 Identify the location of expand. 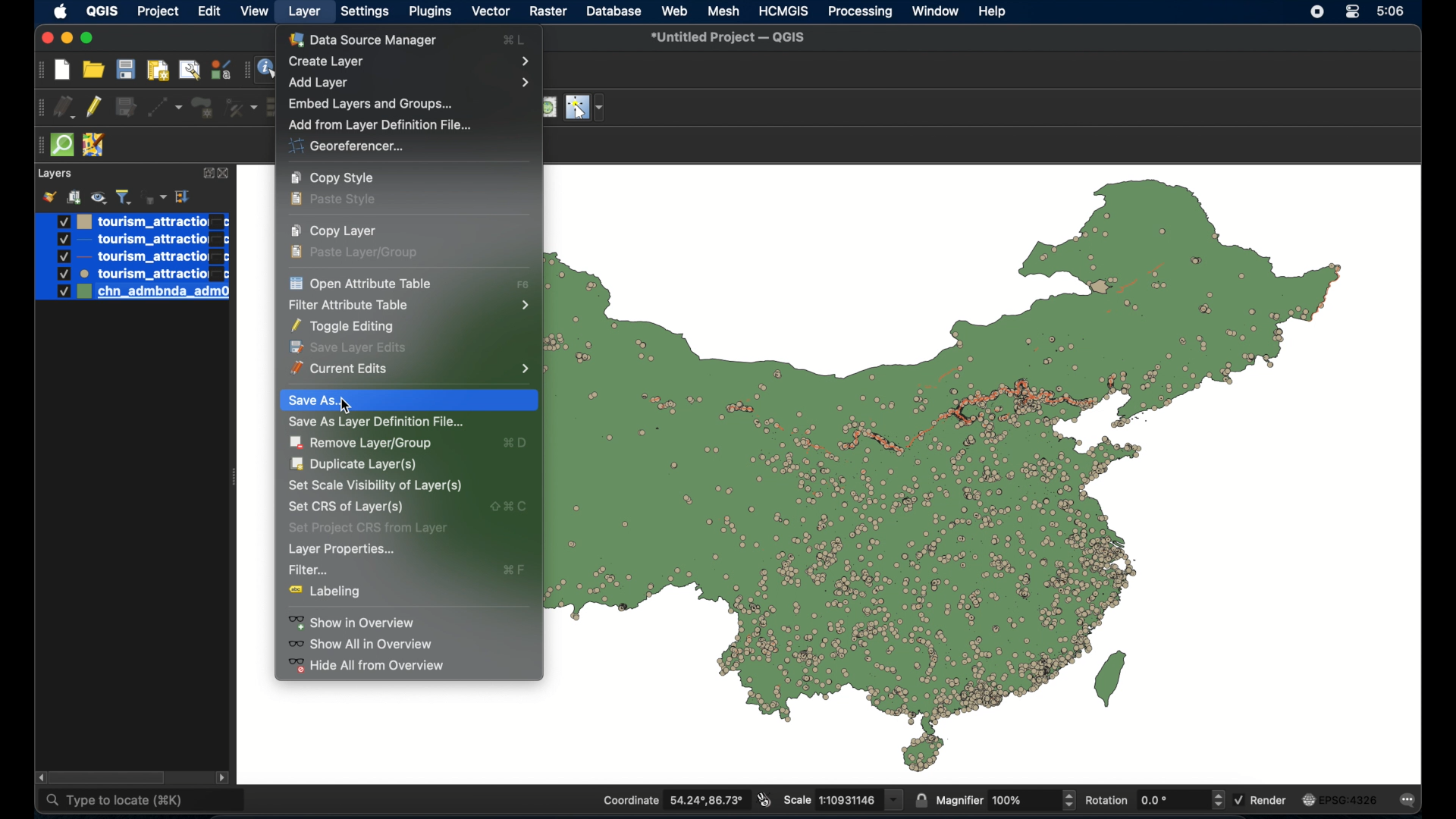
(206, 174).